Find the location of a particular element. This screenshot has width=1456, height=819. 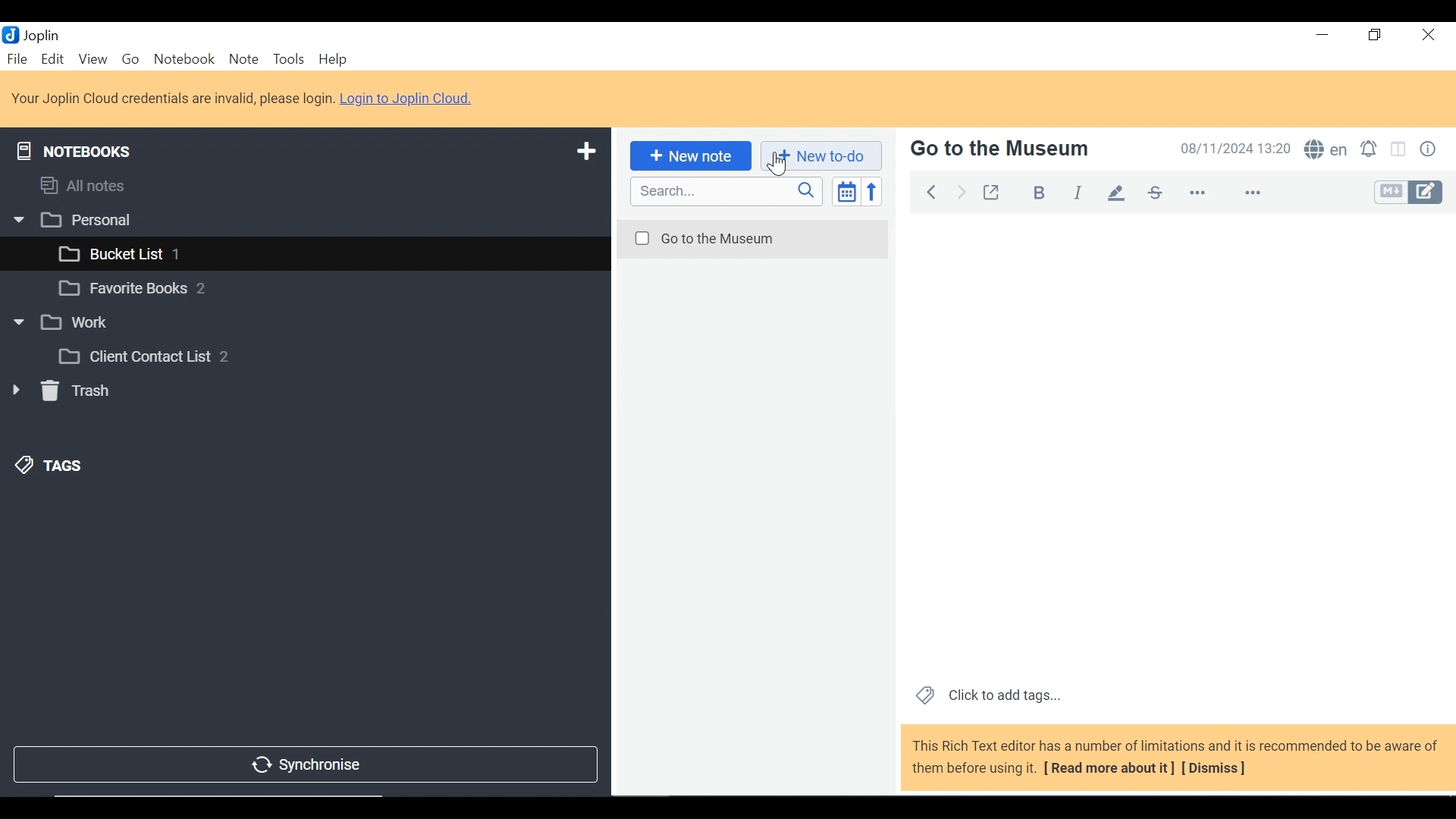

Spell Checker is located at coordinates (1328, 150).